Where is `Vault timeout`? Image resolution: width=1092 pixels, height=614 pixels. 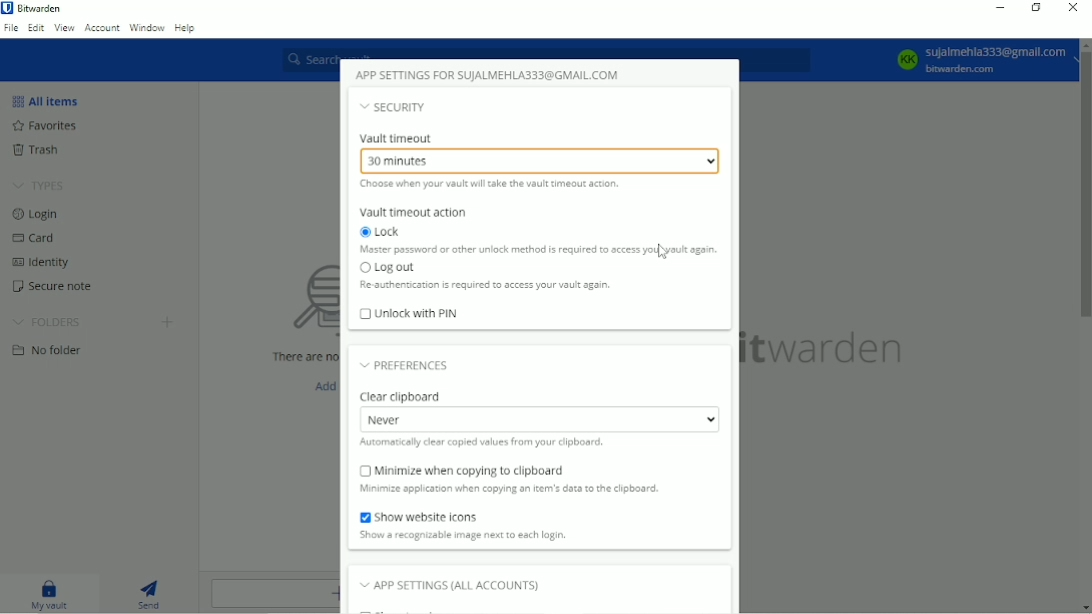
Vault timeout is located at coordinates (397, 139).